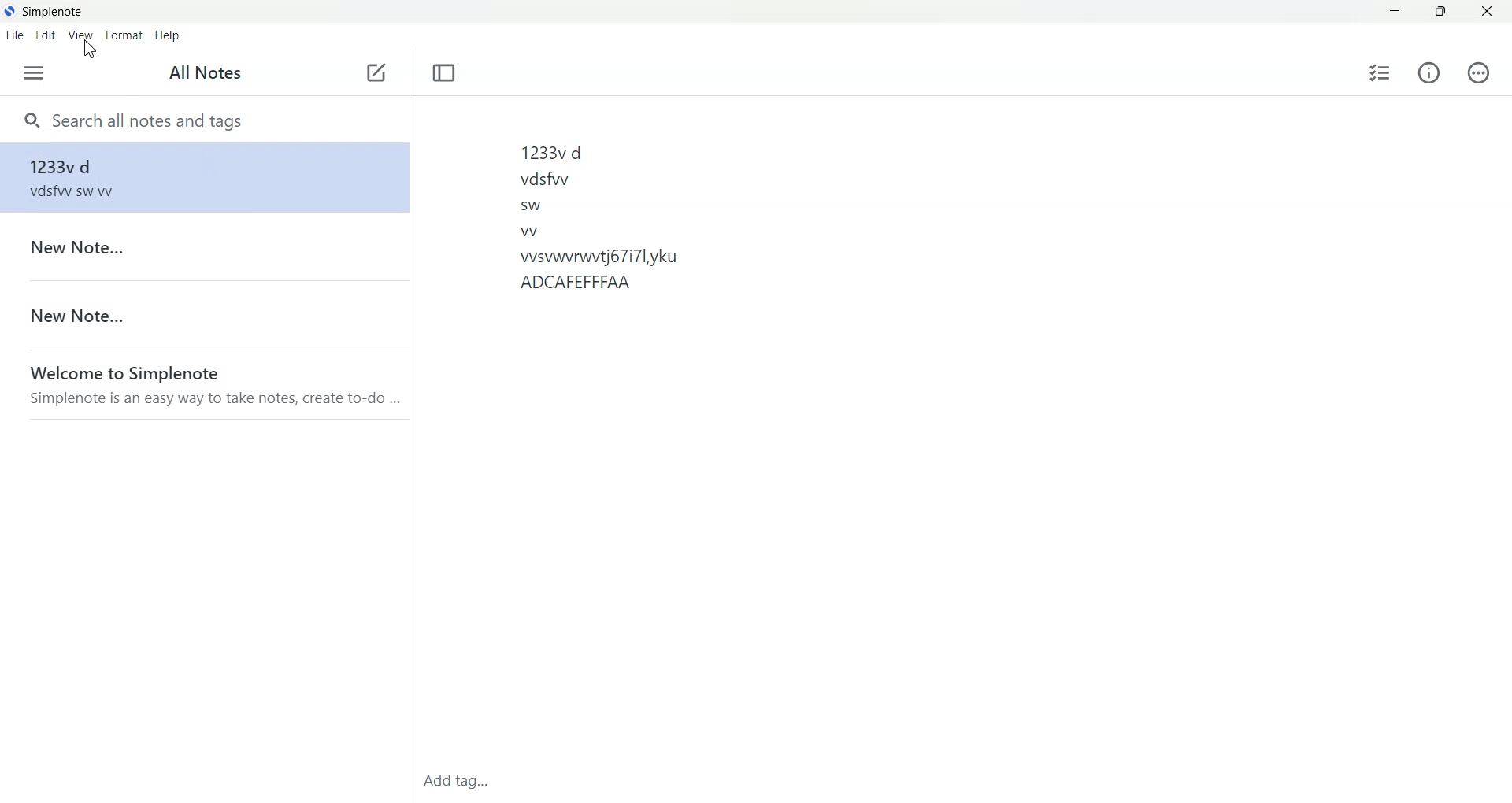 The image size is (1512, 803). Describe the element at coordinates (34, 72) in the screenshot. I see `open sidebar` at that location.